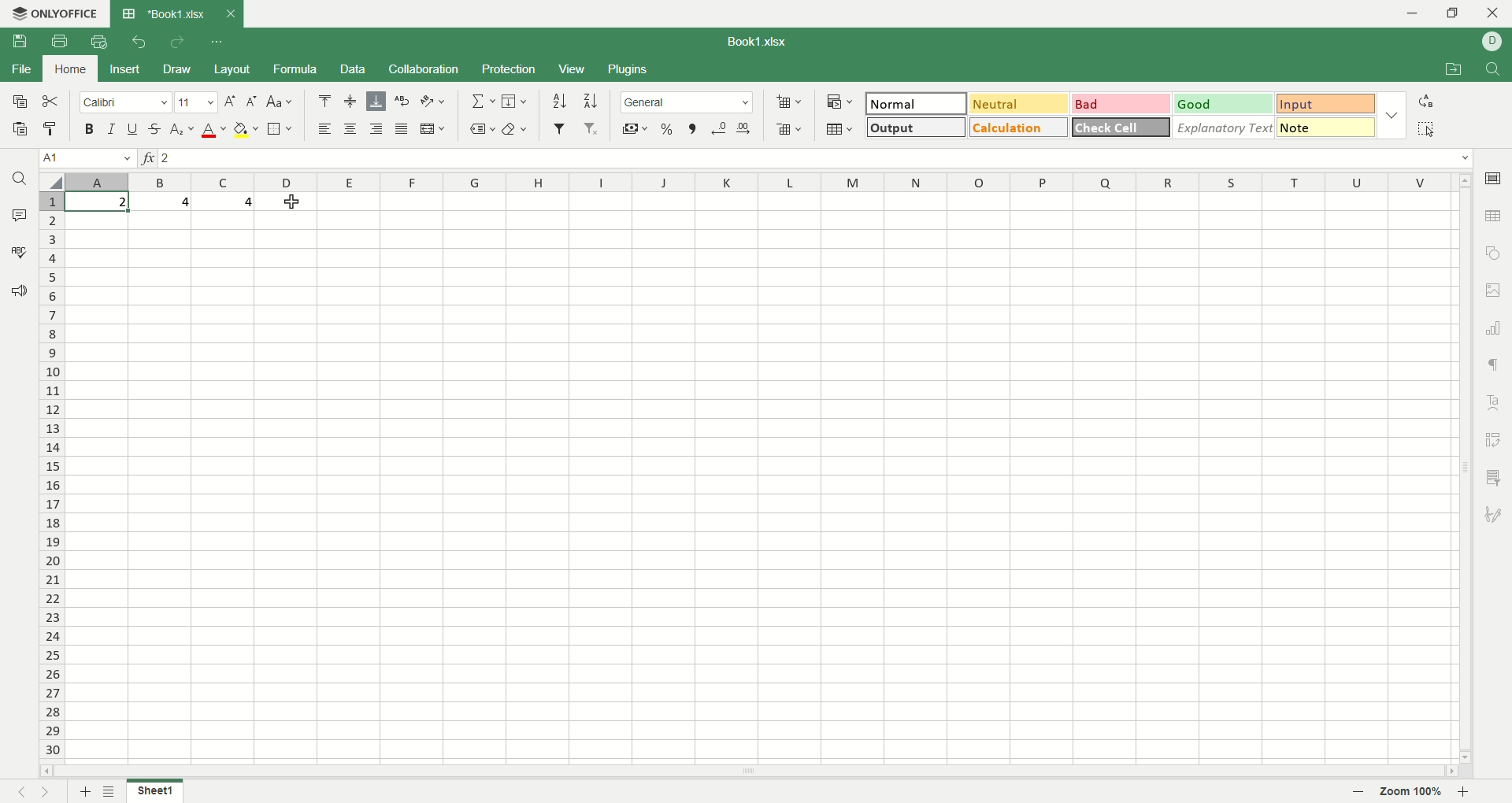  I want to click on clear, so click(517, 128).